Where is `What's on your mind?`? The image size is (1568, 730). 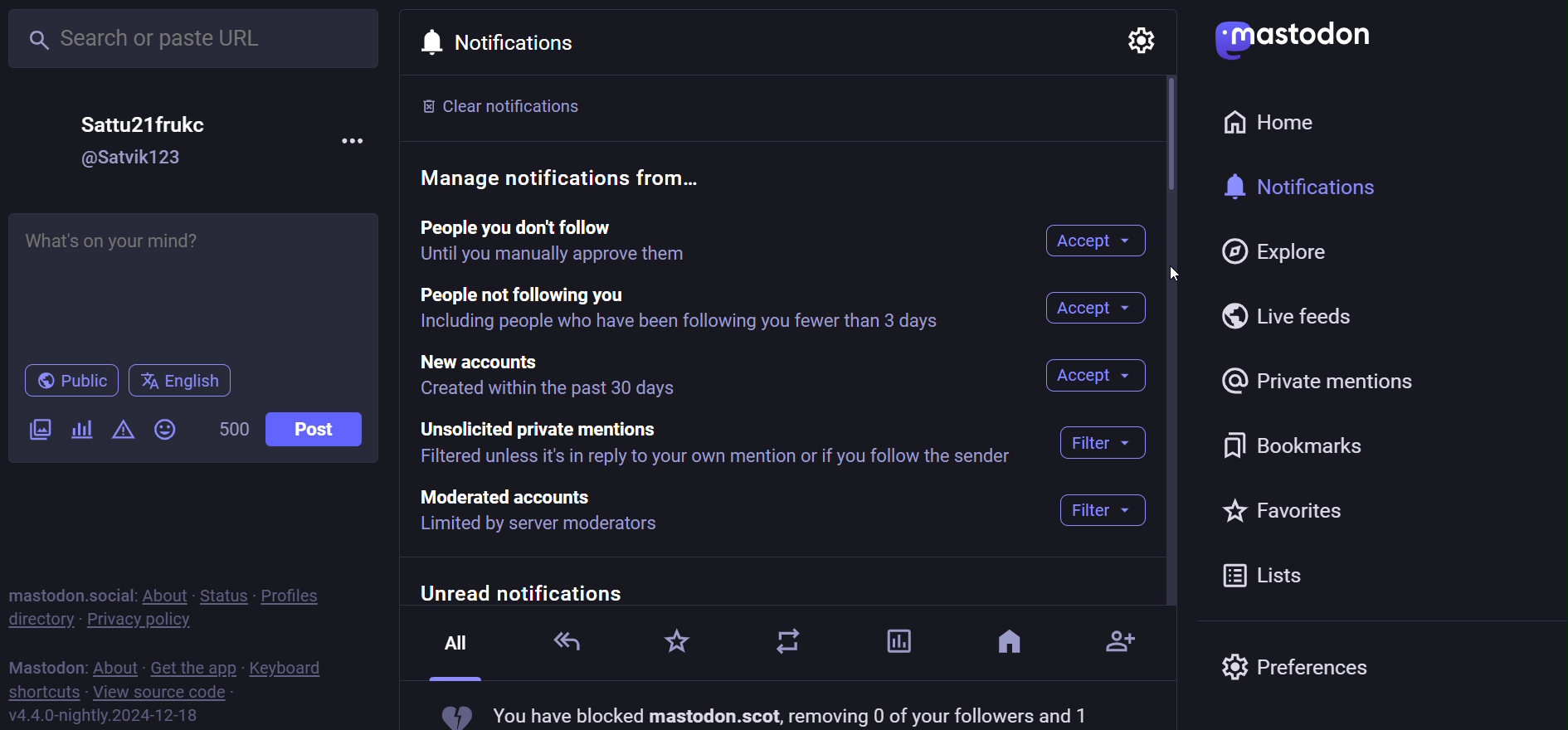 What's on your mind? is located at coordinates (197, 282).